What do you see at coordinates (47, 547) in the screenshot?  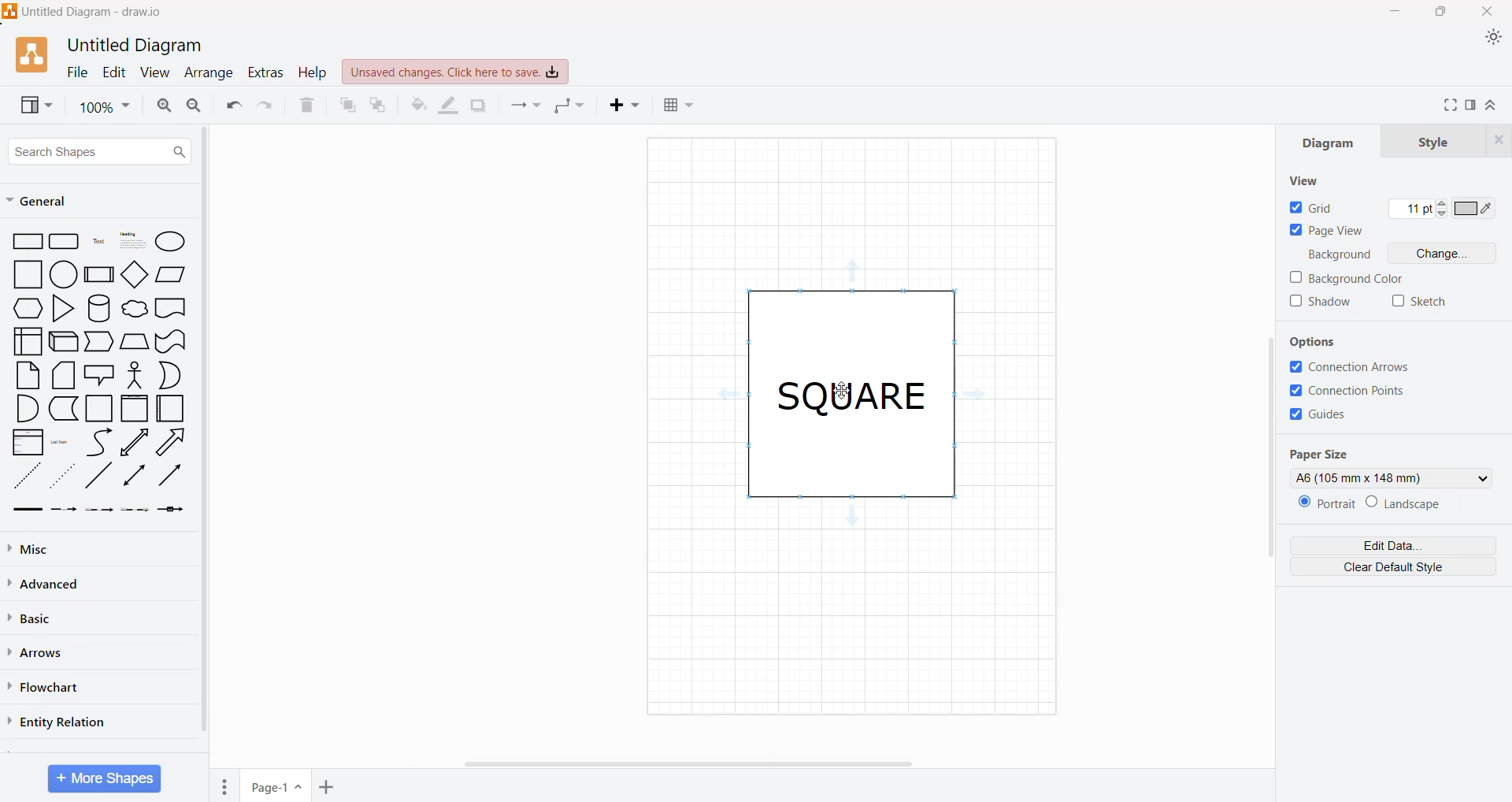 I see `Misc` at bounding box center [47, 547].